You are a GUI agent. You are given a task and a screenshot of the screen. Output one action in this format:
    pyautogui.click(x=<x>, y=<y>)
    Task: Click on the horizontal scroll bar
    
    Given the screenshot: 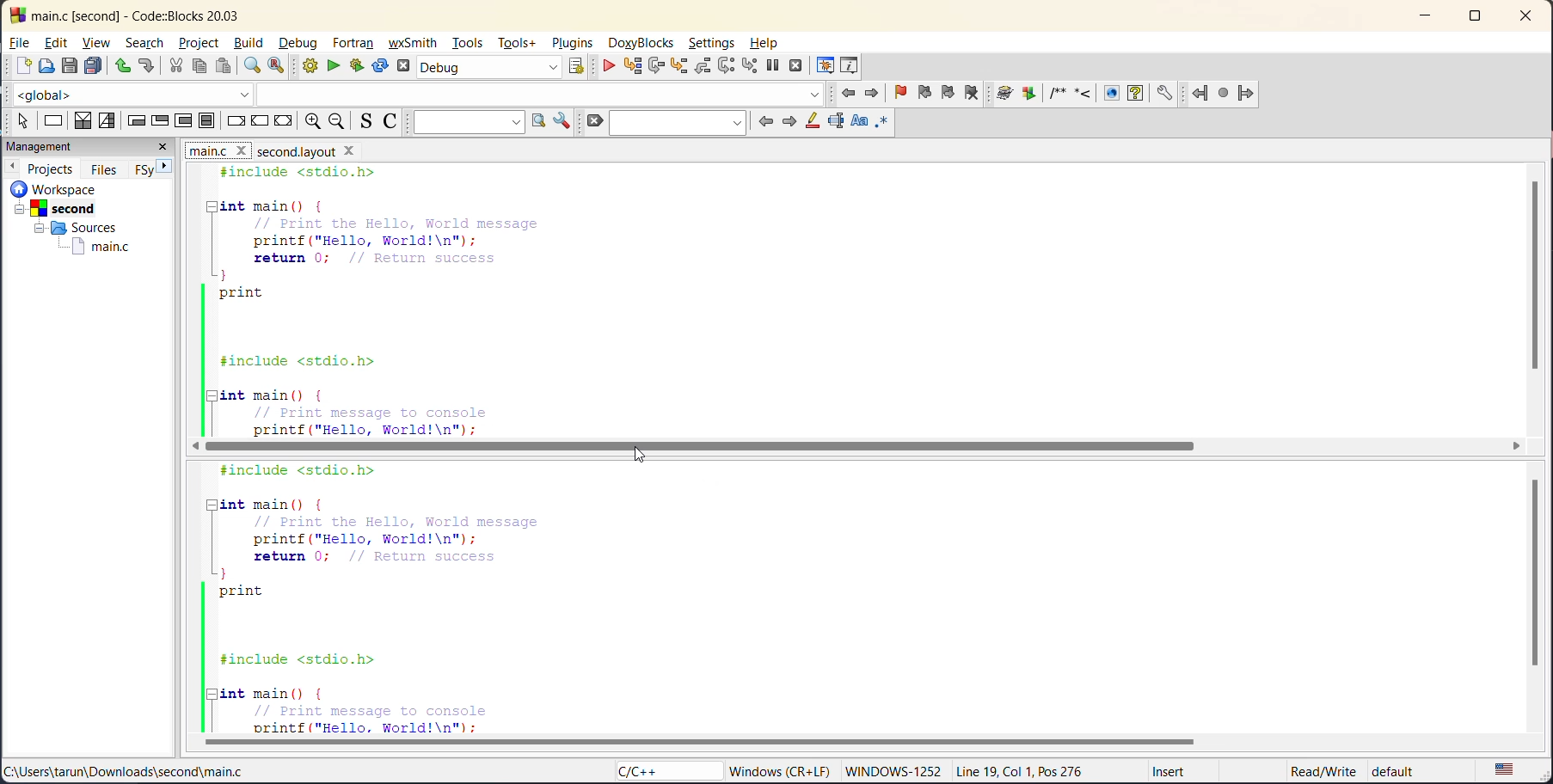 What is the action you would take?
    pyautogui.click(x=710, y=744)
    